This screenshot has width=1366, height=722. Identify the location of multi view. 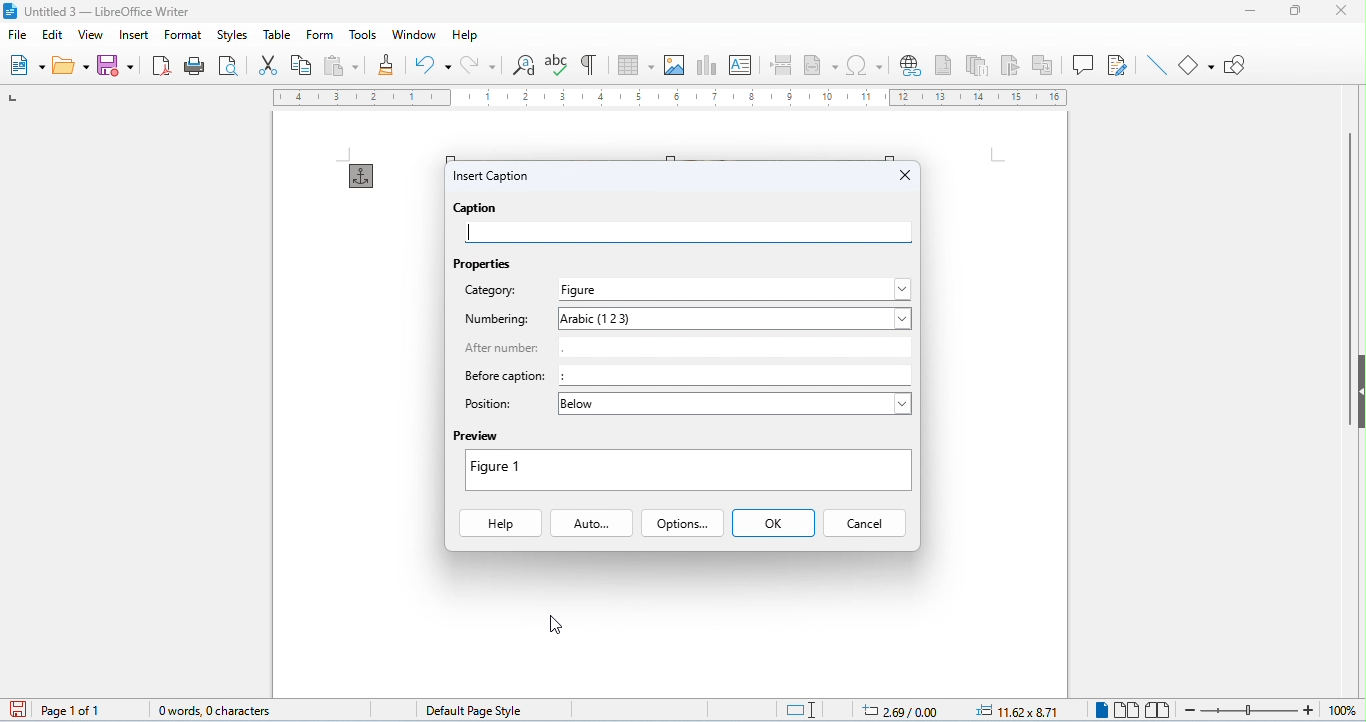
(1127, 710).